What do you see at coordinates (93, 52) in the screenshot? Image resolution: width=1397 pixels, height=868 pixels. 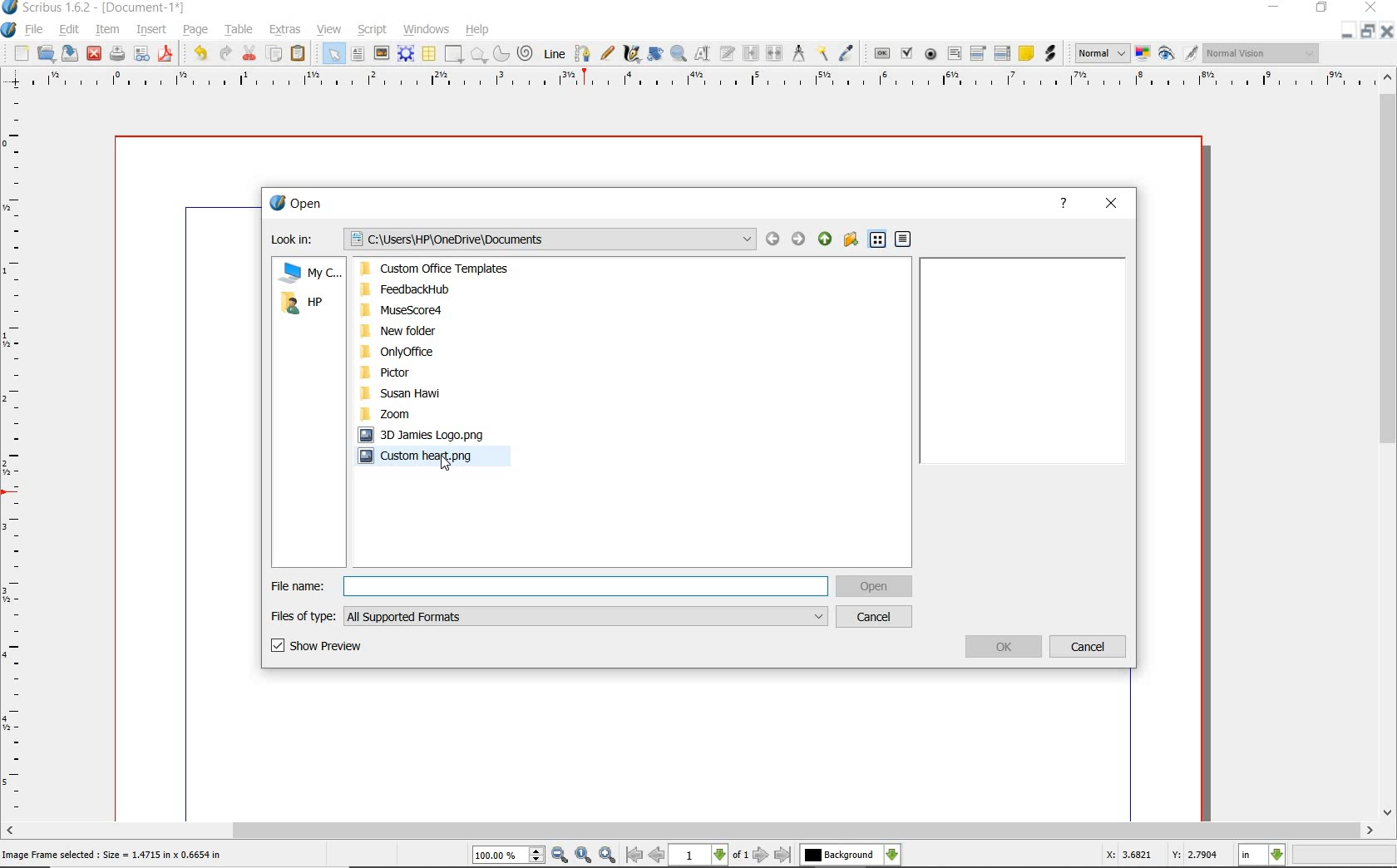 I see `close` at bounding box center [93, 52].